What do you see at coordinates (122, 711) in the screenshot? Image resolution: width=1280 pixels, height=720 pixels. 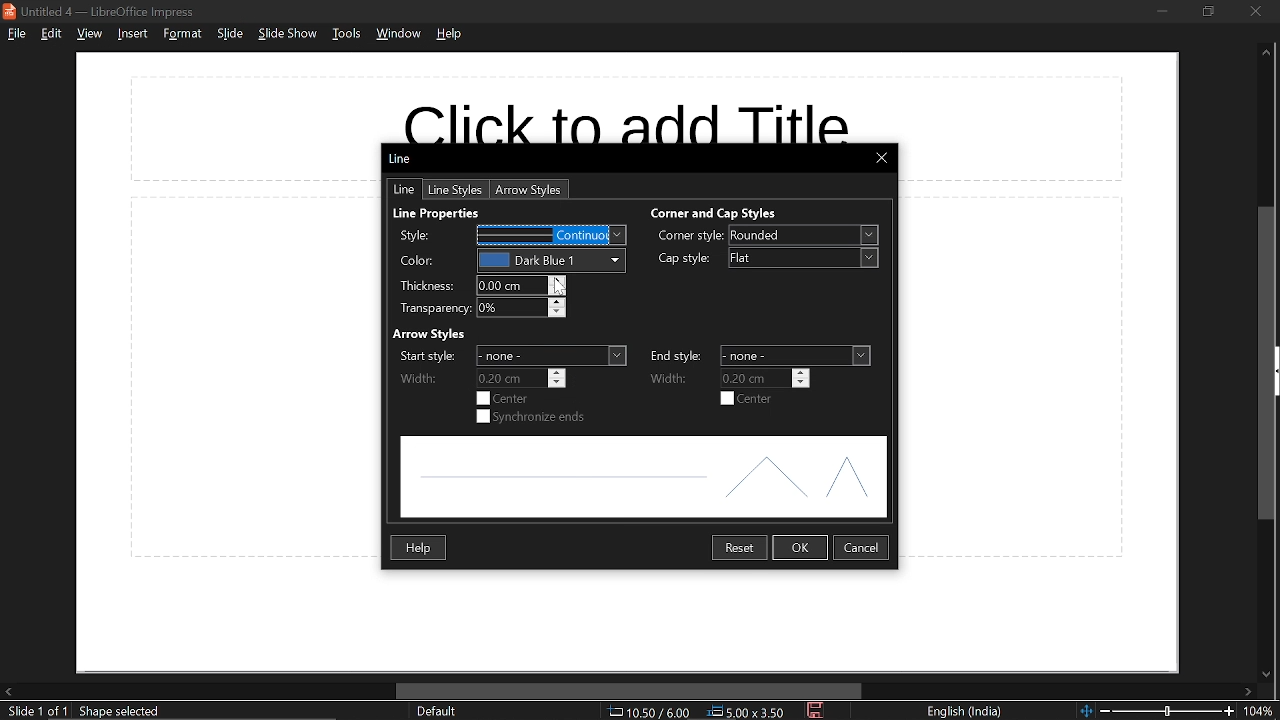 I see `shape info` at bounding box center [122, 711].